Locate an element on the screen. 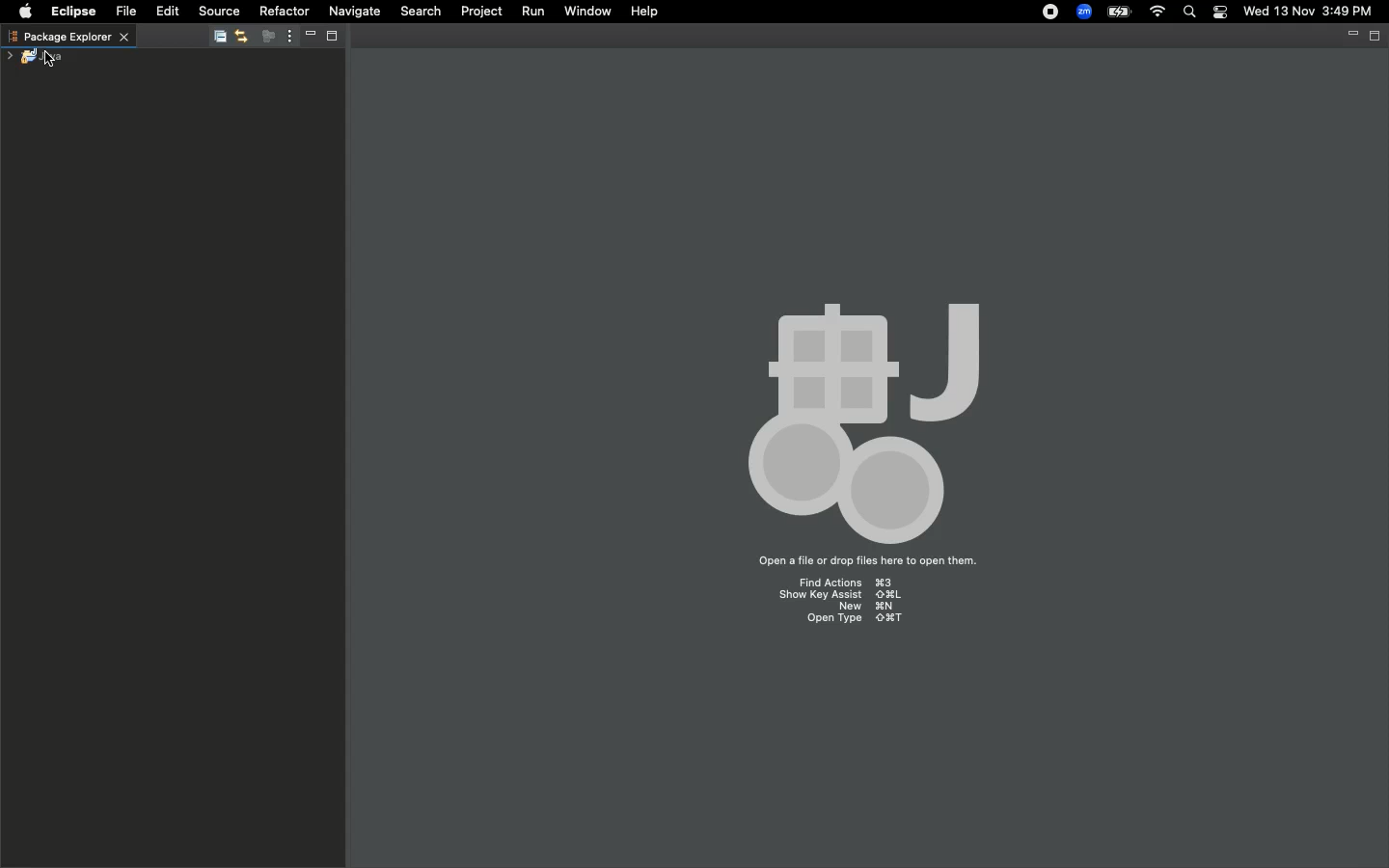 The width and height of the screenshot is (1389, 868). Source is located at coordinates (220, 12).